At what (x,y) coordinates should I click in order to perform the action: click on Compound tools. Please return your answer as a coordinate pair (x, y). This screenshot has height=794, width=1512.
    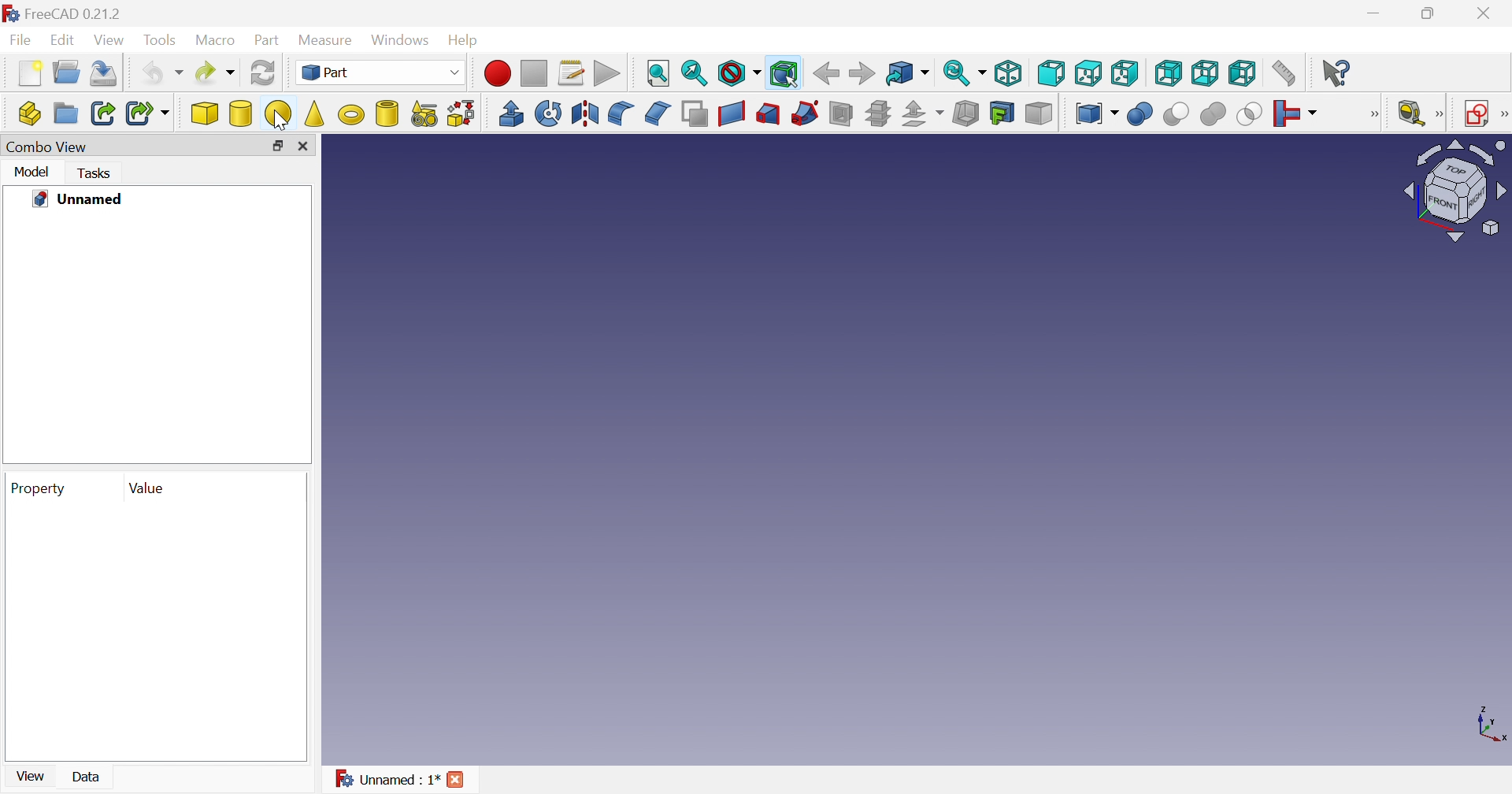
    Looking at the image, I should click on (1097, 113).